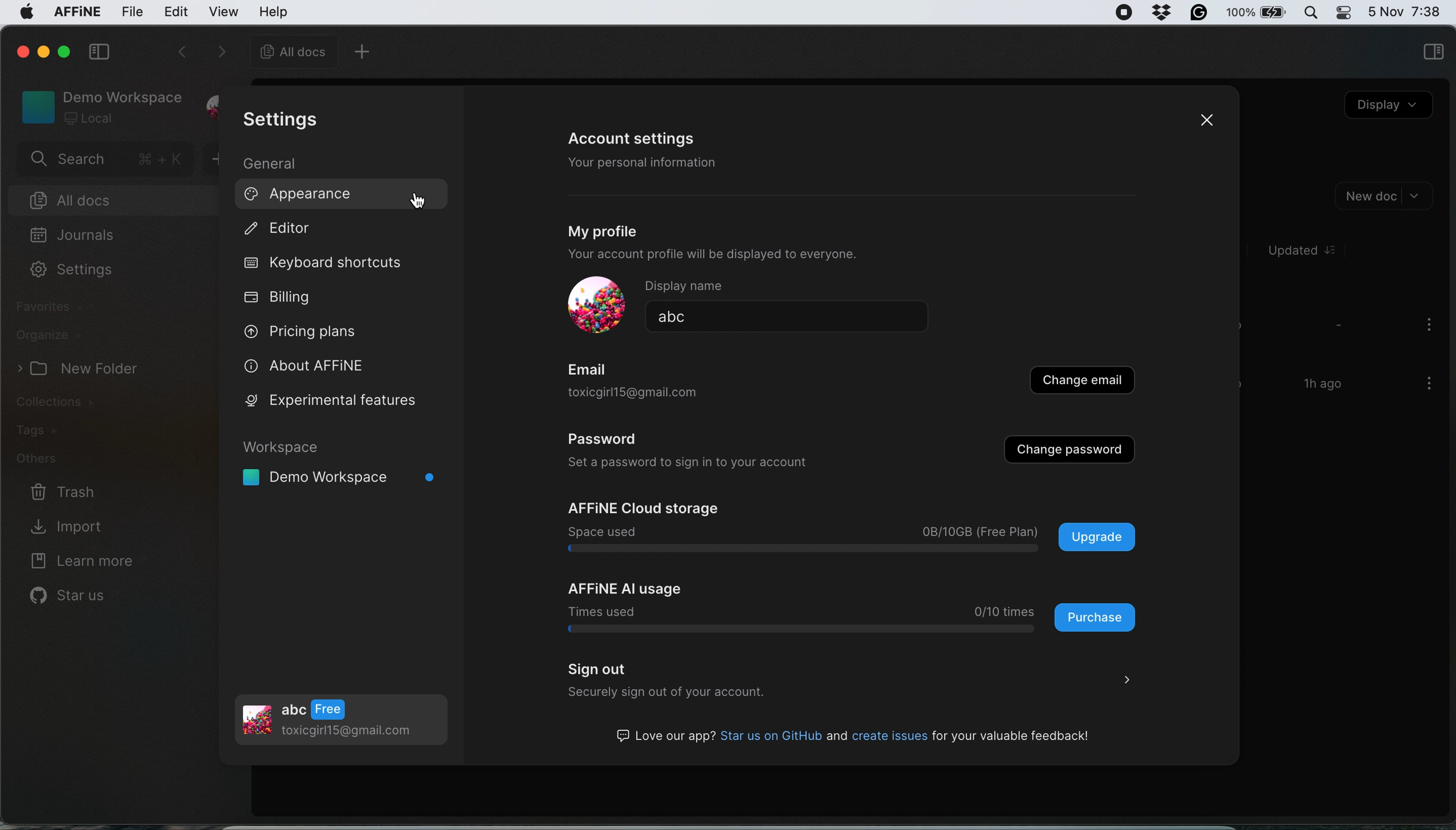 The image size is (1456, 830). Describe the element at coordinates (596, 306) in the screenshot. I see `display picture` at that location.